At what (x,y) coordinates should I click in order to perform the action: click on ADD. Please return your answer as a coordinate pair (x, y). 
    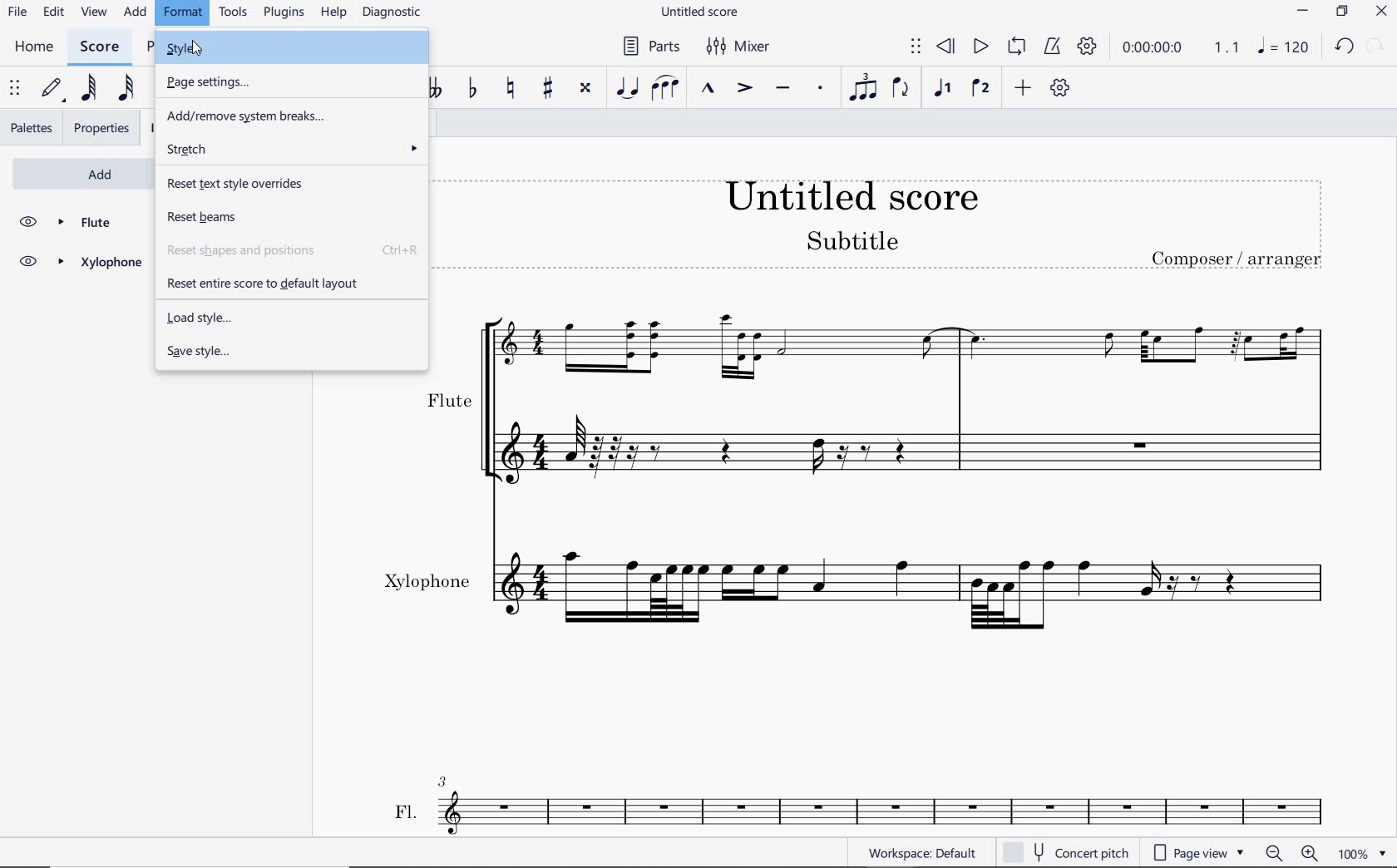
    Looking at the image, I should click on (1020, 89).